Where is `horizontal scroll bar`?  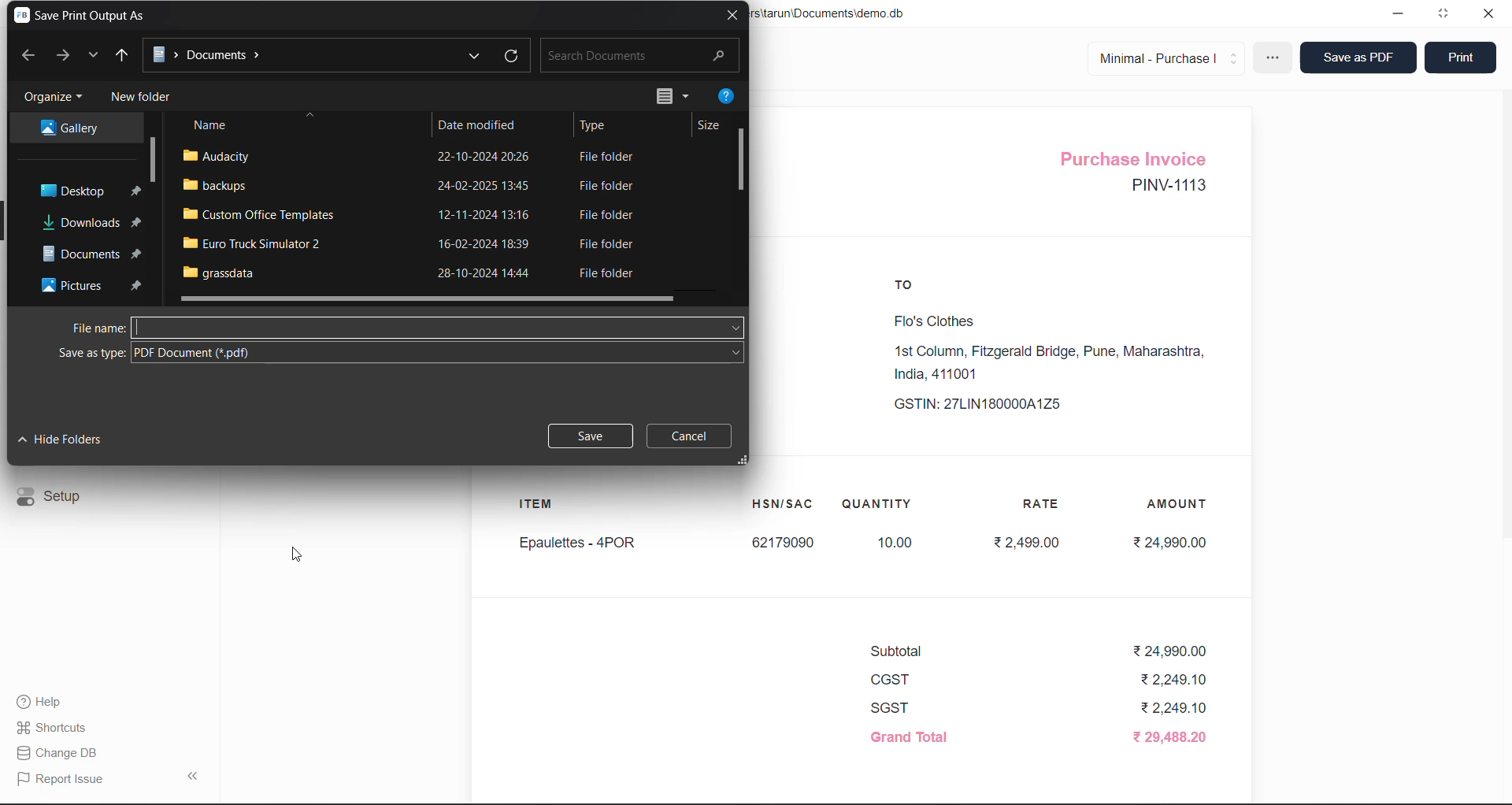 horizontal scroll bar is located at coordinates (432, 298).